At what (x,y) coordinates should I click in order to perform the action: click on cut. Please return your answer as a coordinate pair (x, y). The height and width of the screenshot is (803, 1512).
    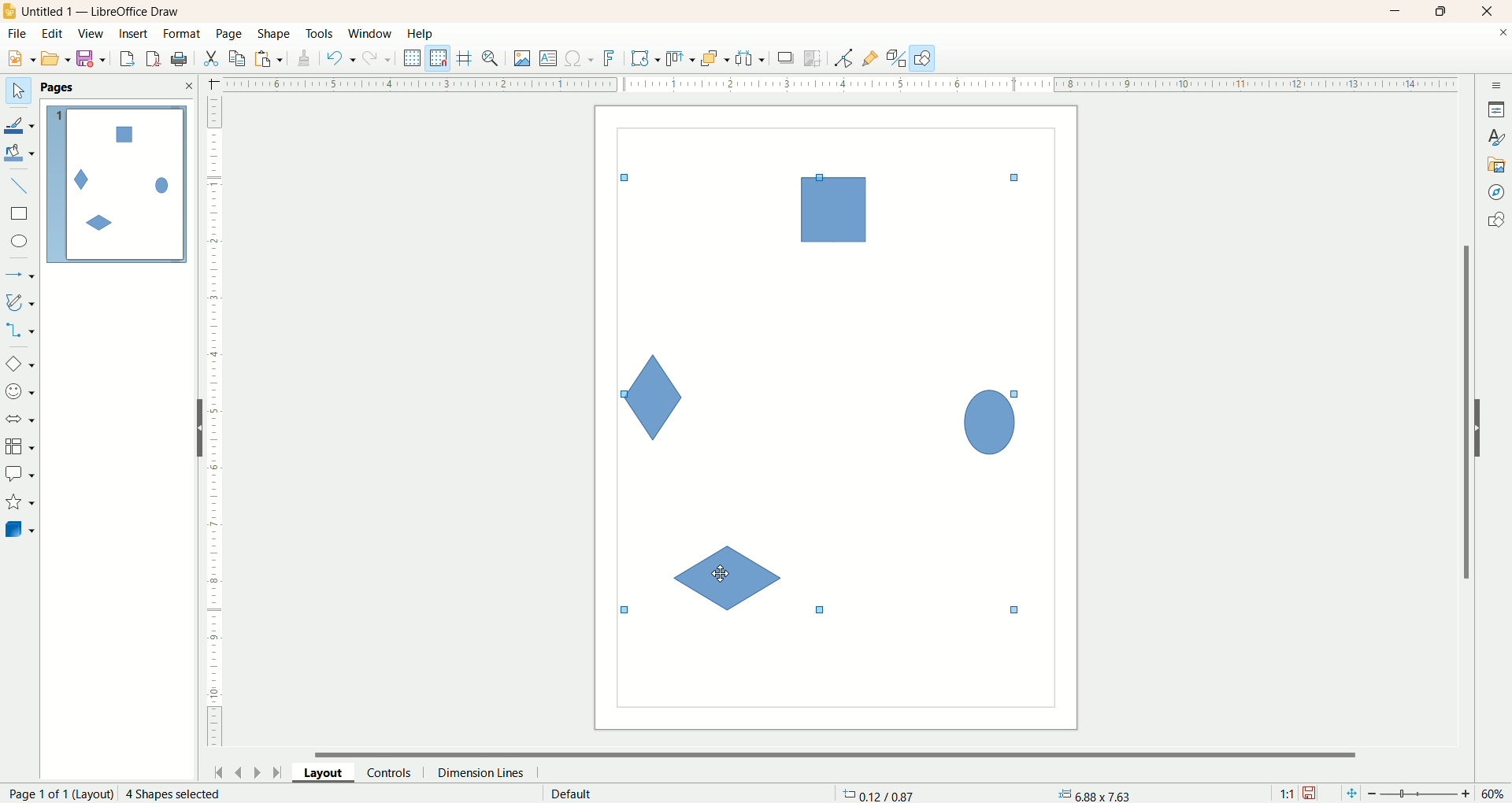
    Looking at the image, I should click on (210, 58).